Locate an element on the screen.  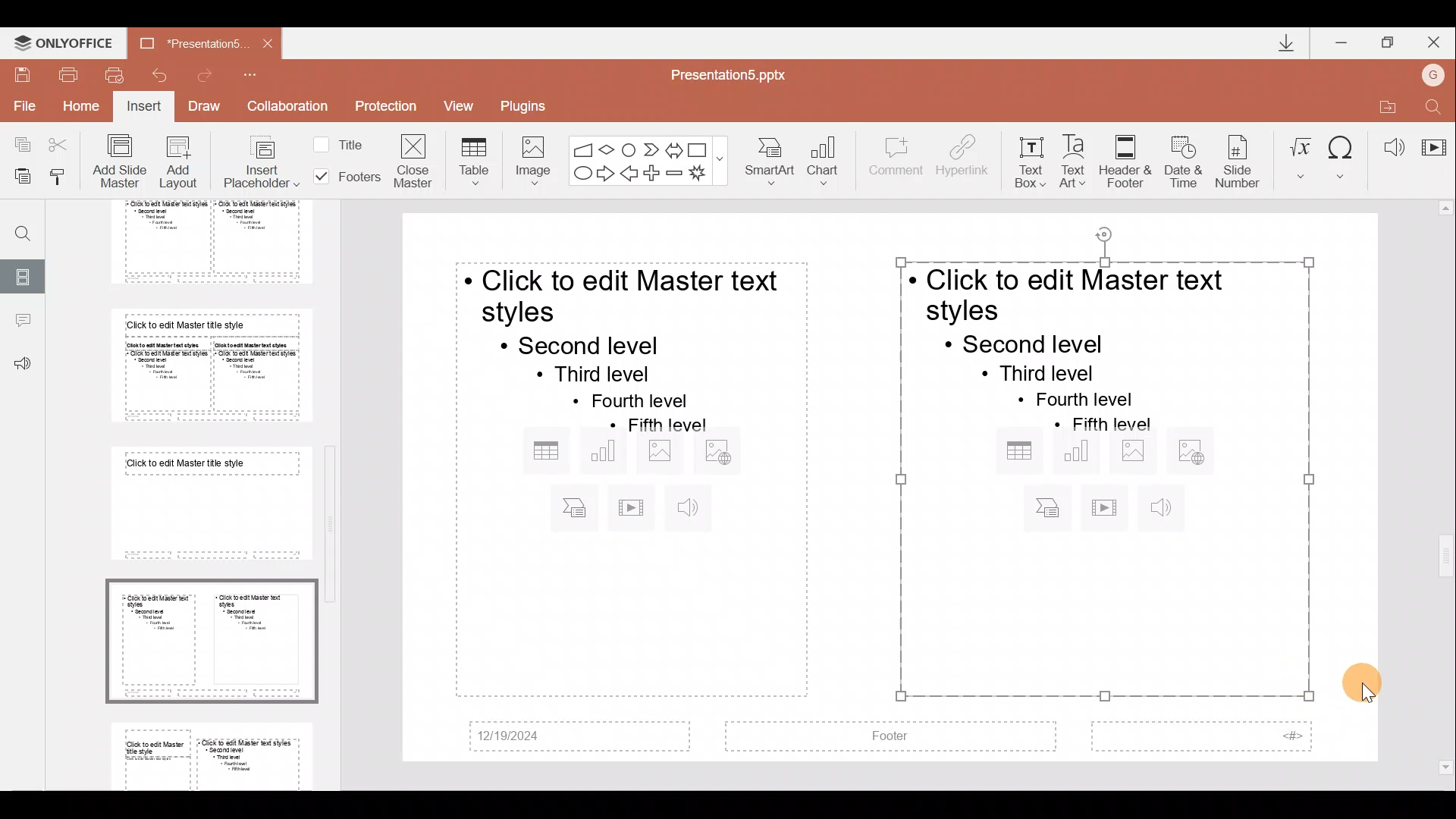
Slide 7 is located at coordinates (206, 503).